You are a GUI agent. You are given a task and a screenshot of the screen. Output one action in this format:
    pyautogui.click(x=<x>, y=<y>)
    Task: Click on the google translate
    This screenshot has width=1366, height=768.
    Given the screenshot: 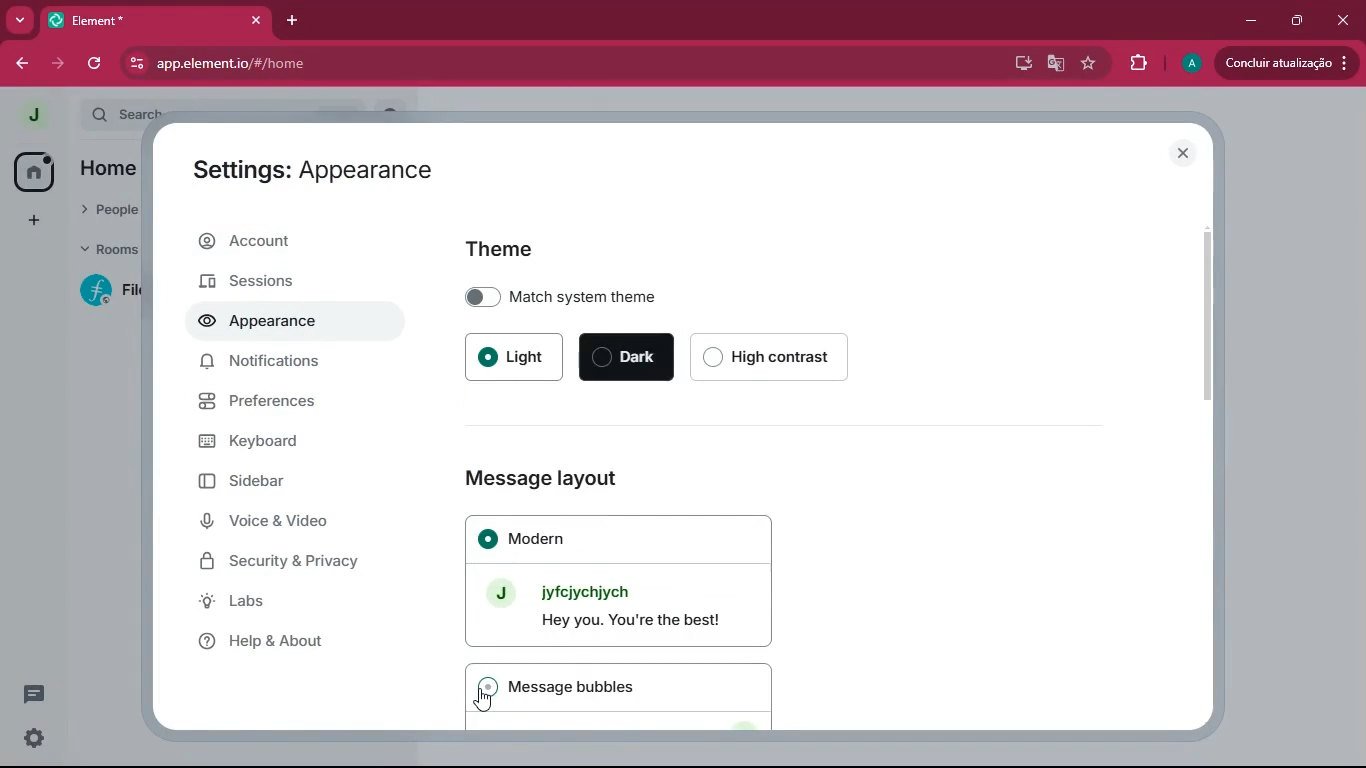 What is the action you would take?
    pyautogui.click(x=1054, y=66)
    